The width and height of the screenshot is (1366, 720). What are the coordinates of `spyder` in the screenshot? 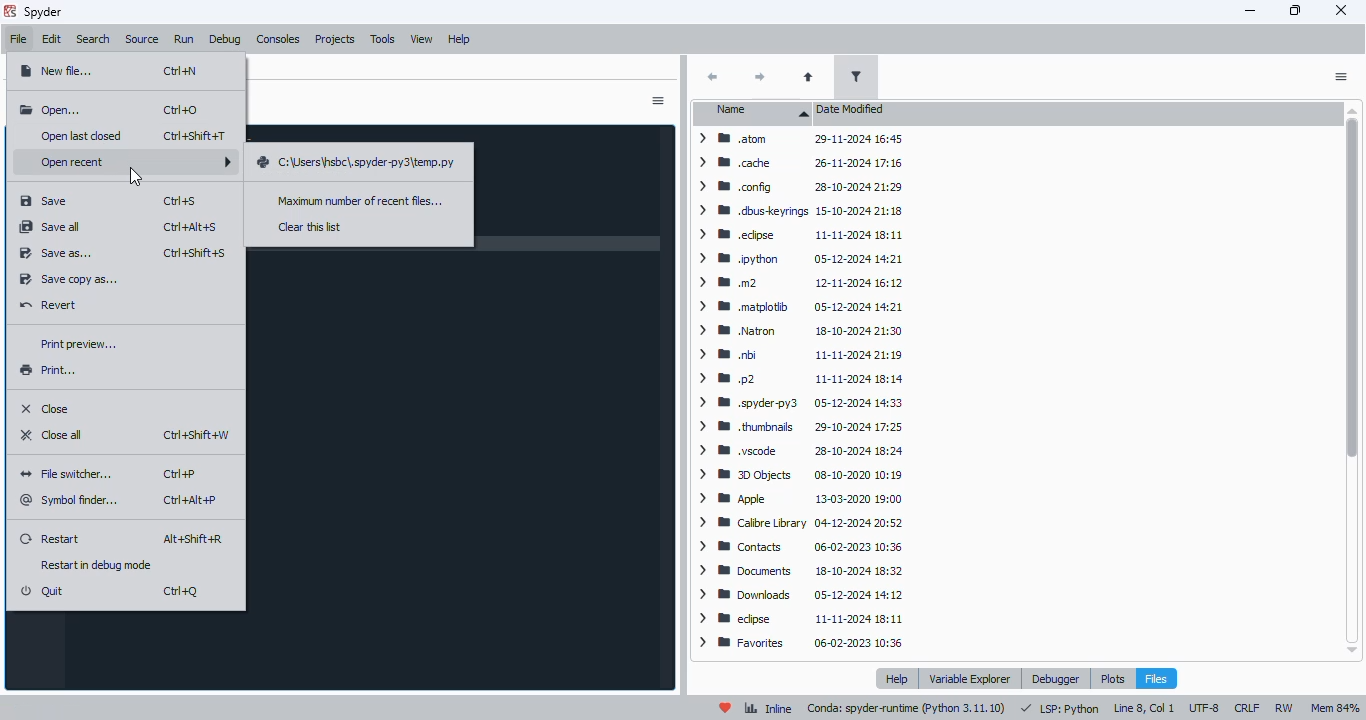 It's located at (43, 12).